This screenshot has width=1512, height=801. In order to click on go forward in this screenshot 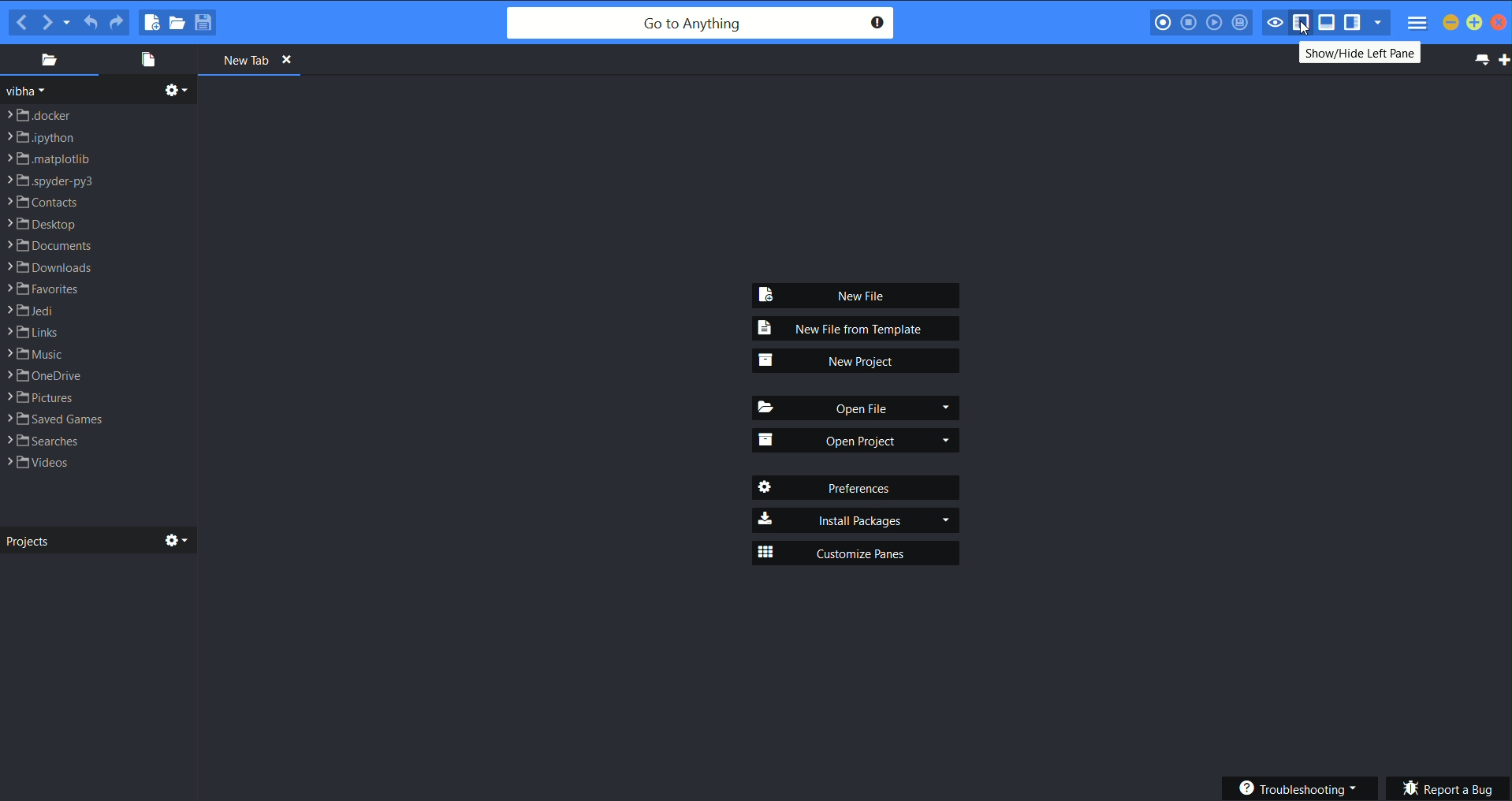, I will do `click(48, 22)`.